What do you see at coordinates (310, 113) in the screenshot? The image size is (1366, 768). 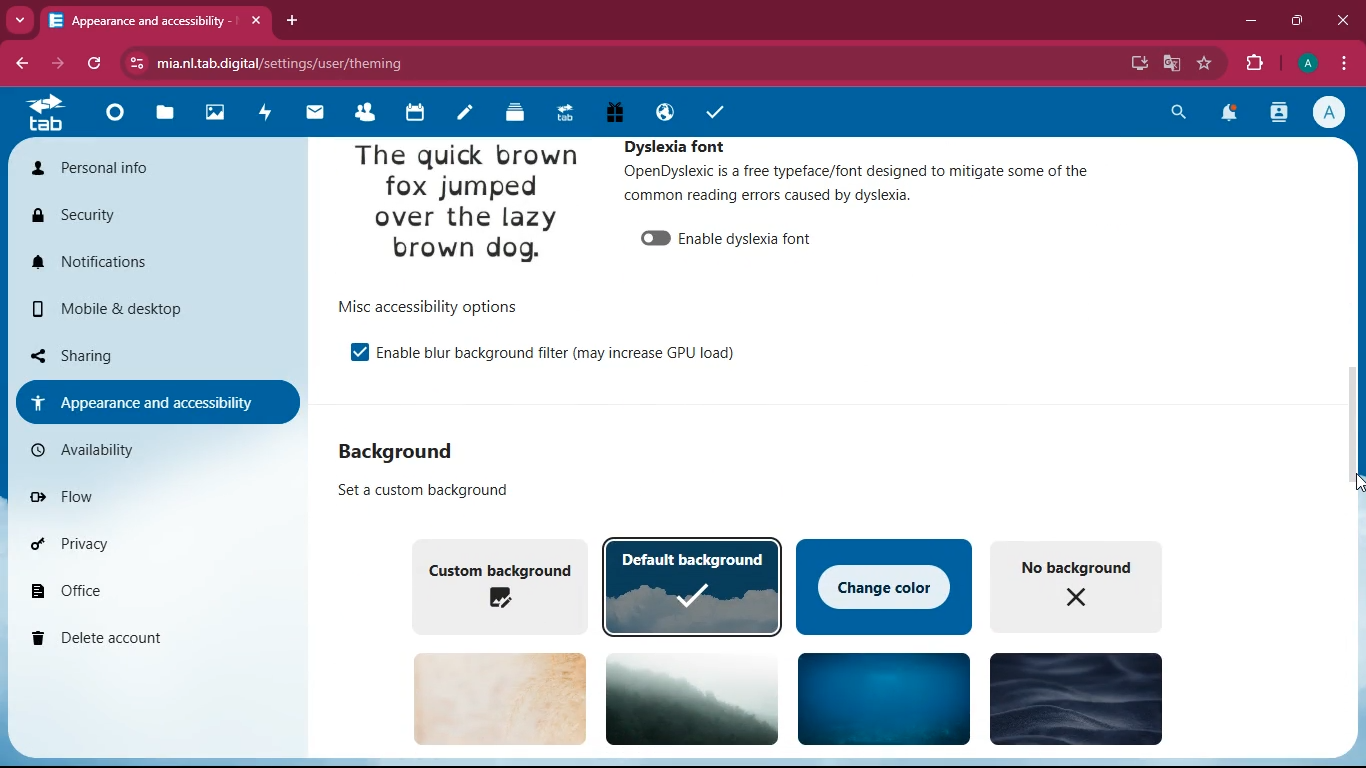 I see `mail` at bounding box center [310, 113].